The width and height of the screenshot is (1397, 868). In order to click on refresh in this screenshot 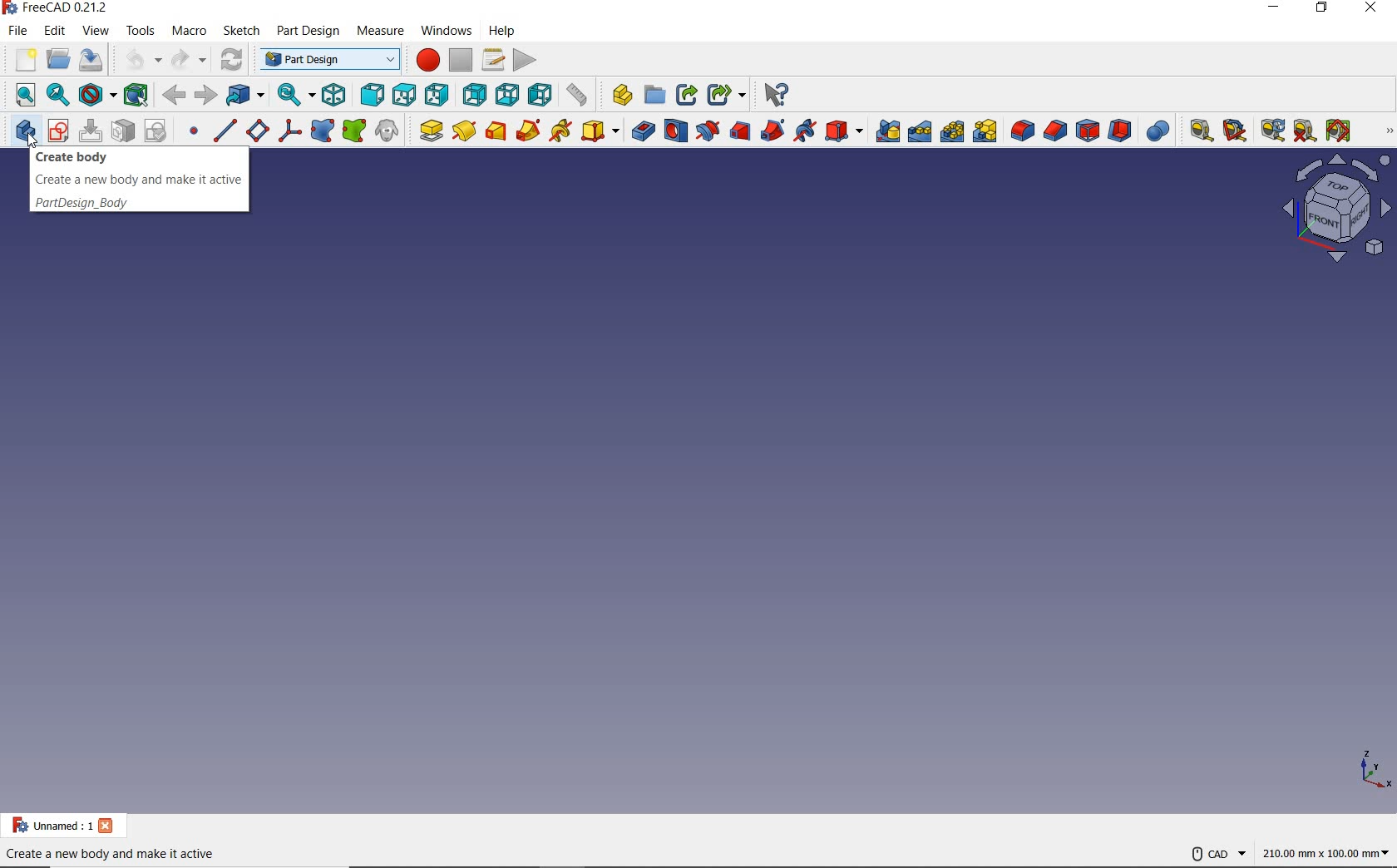, I will do `click(229, 61)`.